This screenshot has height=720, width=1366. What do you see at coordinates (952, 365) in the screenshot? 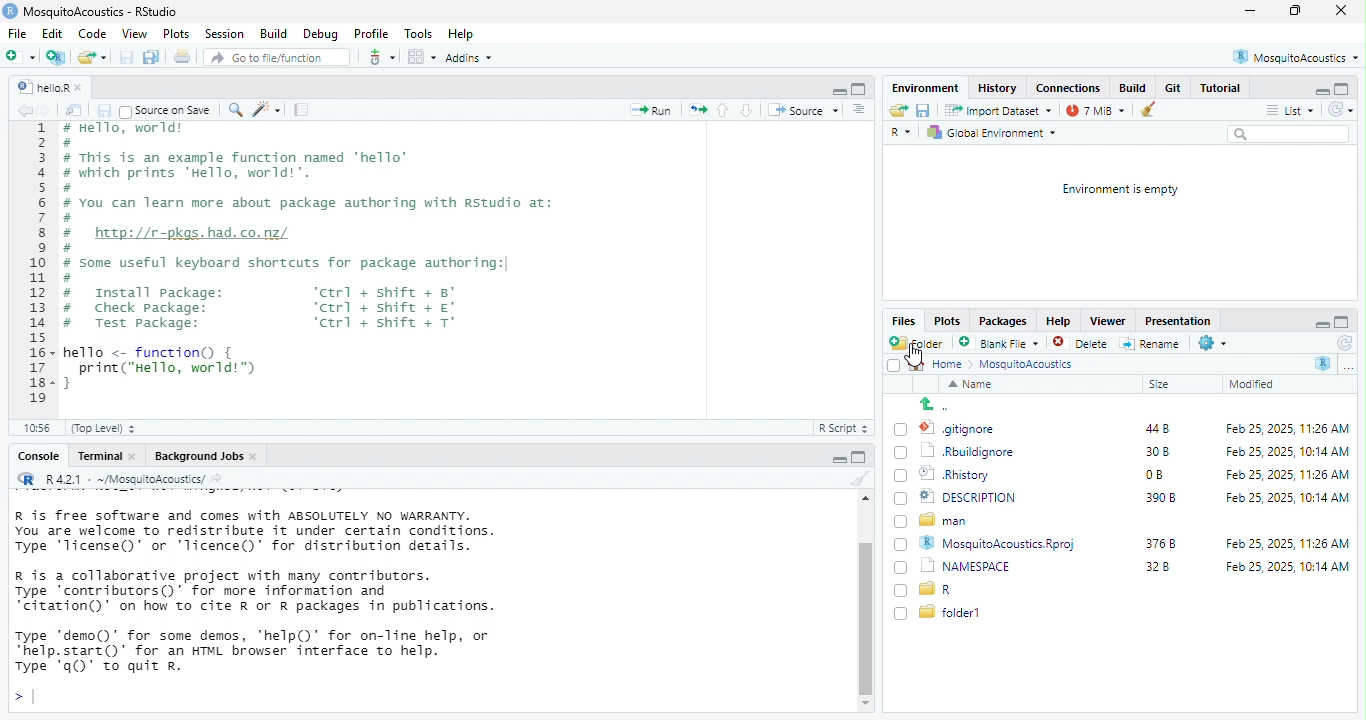
I see `home` at bounding box center [952, 365].